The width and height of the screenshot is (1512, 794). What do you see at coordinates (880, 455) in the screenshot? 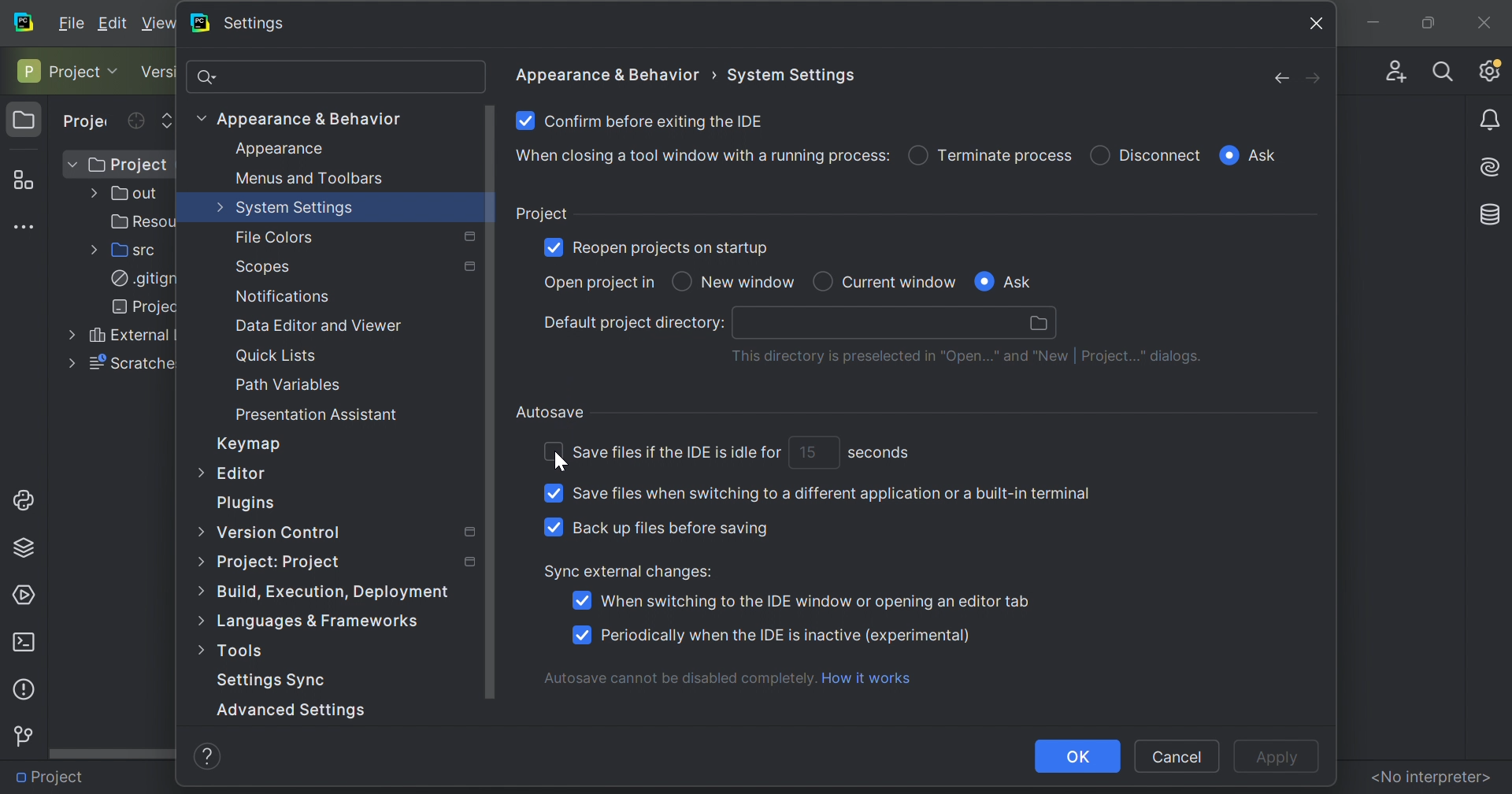
I see `seconds` at bounding box center [880, 455].